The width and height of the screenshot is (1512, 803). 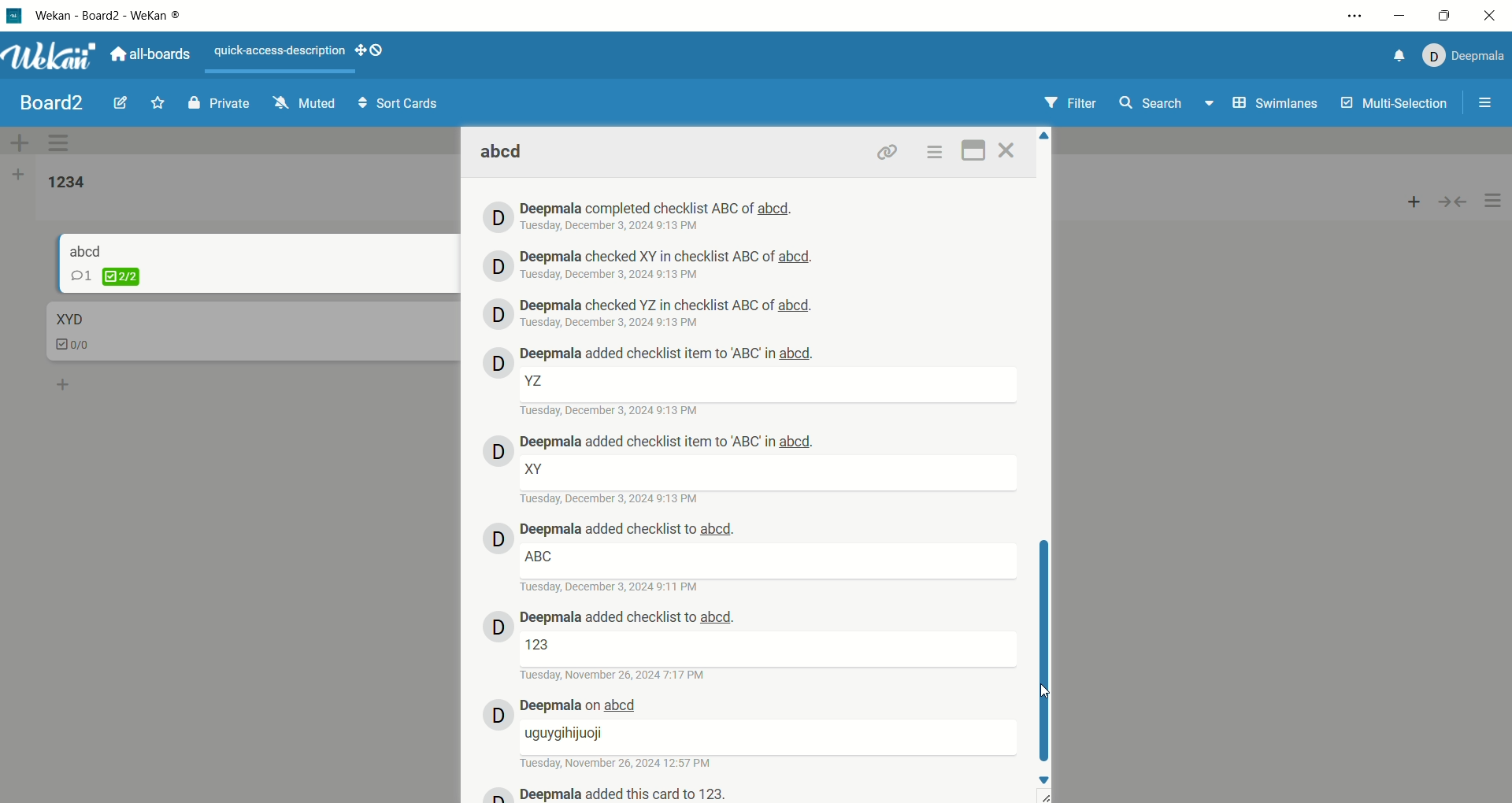 What do you see at coordinates (498, 538) in the screenshot?
I see `avatar` at bounding box center [498, 538].